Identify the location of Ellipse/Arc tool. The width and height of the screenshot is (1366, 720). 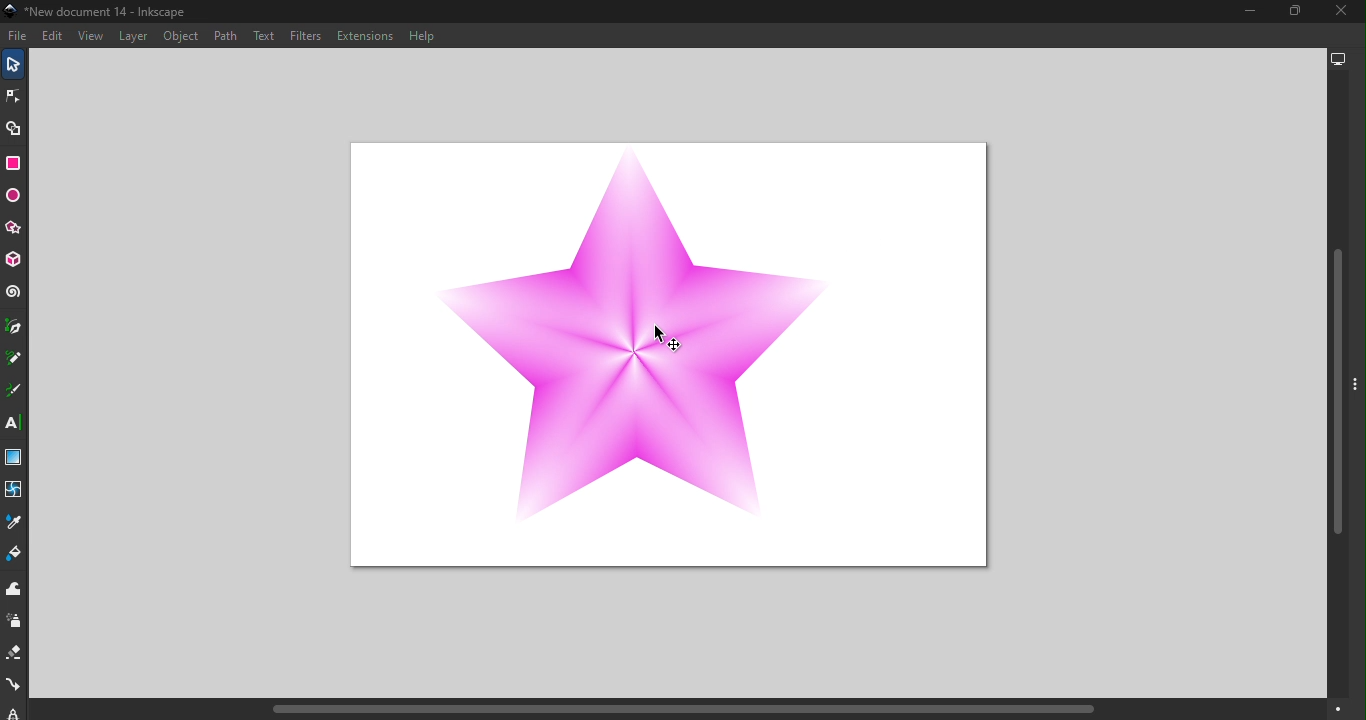
(15, 199).